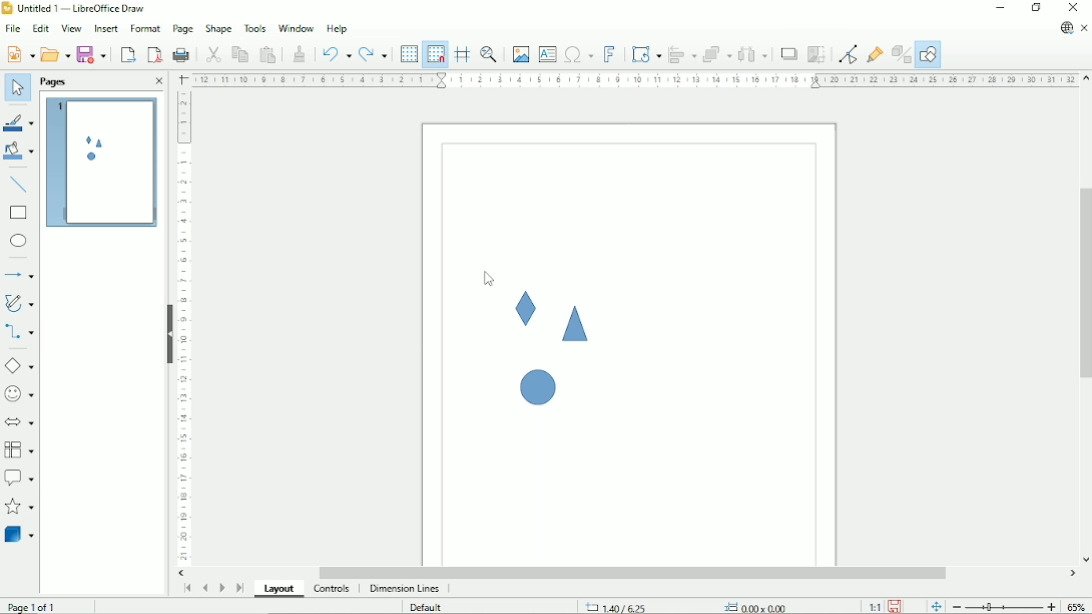 This screenshot has height=614, width=1092. I want to click on Insert special characters, so click(578, 54).